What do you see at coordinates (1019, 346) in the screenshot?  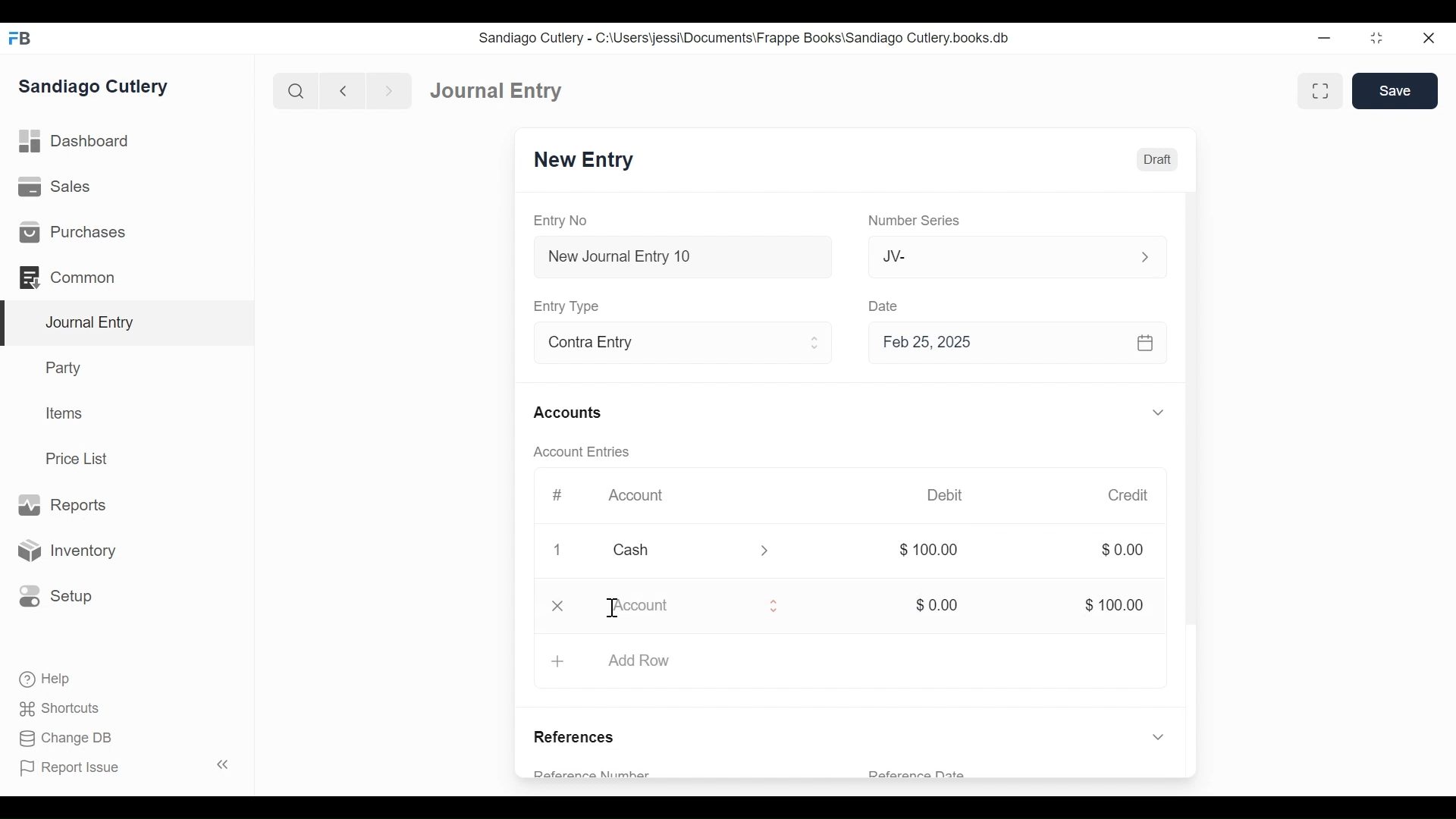 I see `Feb 25, 2025` at bounding box center [1019, 346].